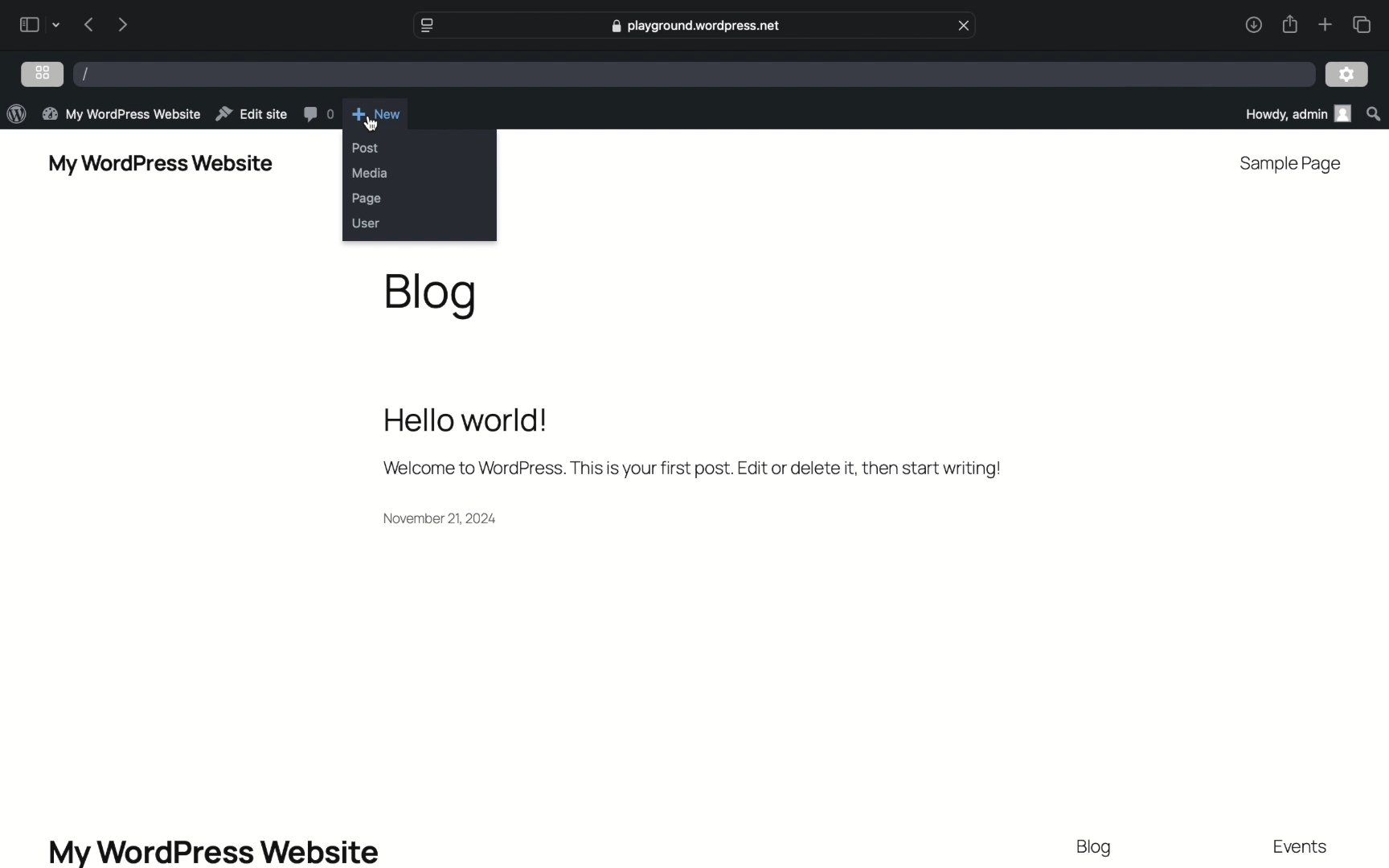  Describe the element at coordinates (427, 26) in the screenshot. I see `website settings` at that location.